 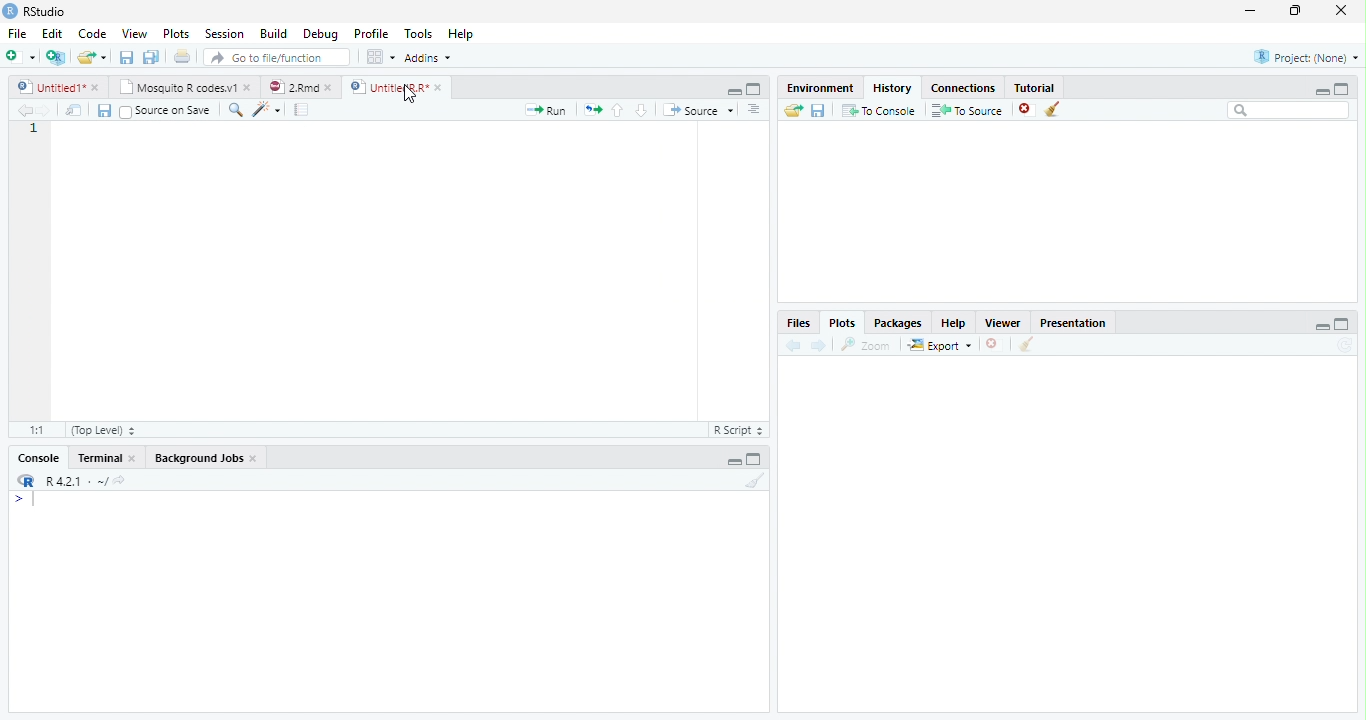 What do you see at coordinates (267, 110) in the screenshot?
I see `Code tools` at bounding box center [267, 110].